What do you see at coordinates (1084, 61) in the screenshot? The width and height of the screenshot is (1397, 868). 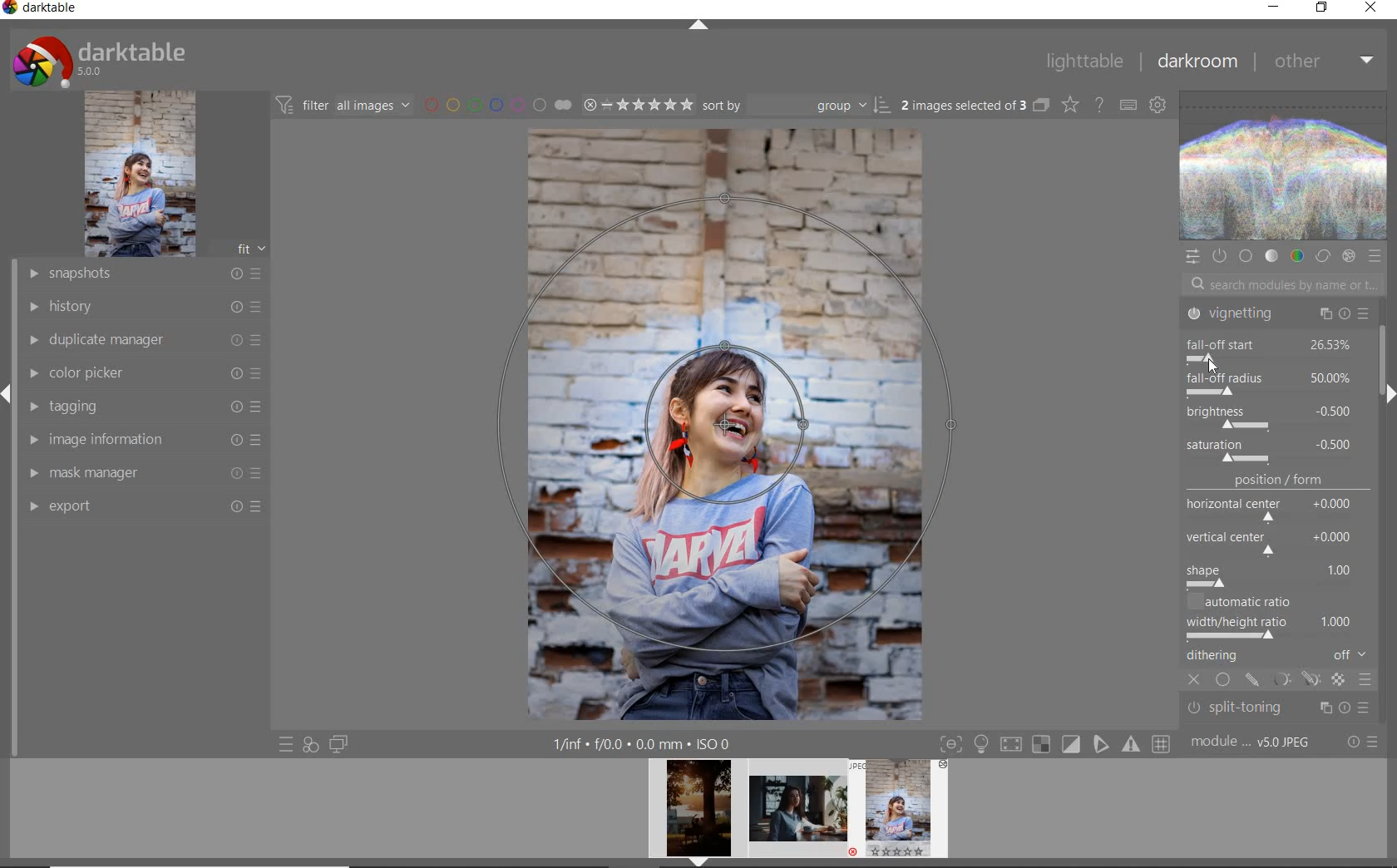 I see `LIGHTTABLE` at bounding box center [1084, 61].